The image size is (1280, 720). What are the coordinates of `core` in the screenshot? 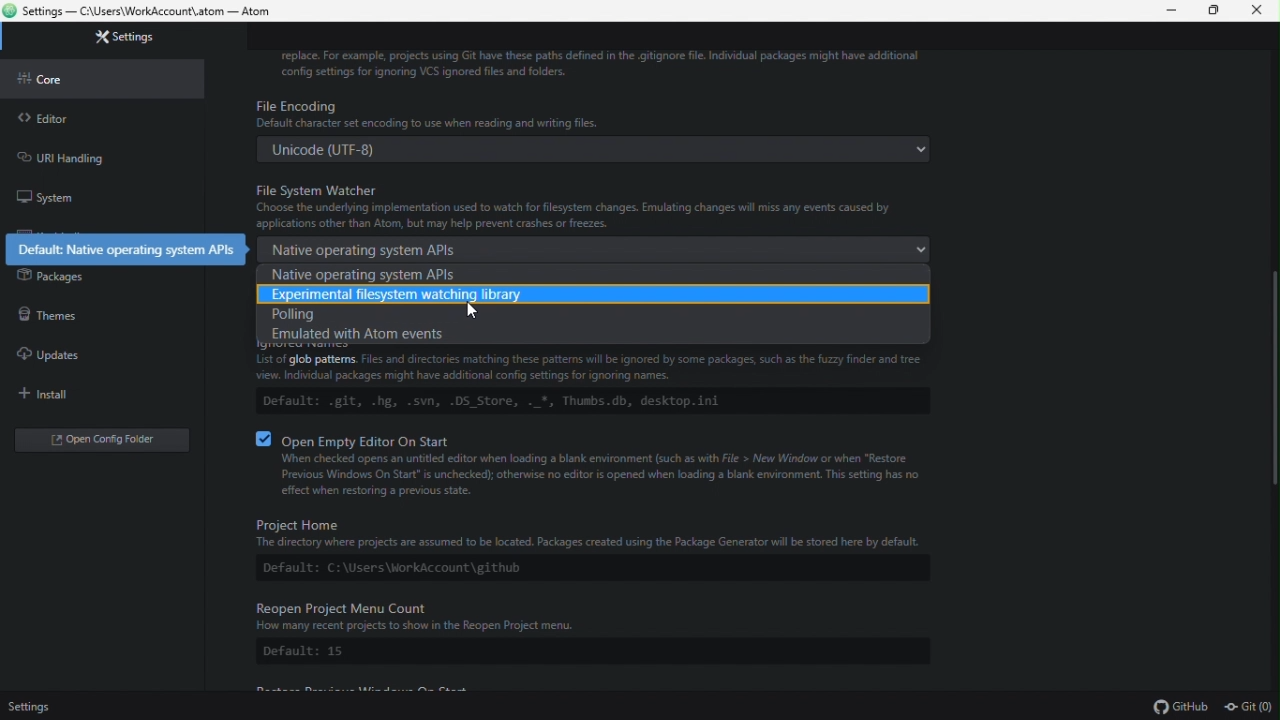 It's located at (43, 80).